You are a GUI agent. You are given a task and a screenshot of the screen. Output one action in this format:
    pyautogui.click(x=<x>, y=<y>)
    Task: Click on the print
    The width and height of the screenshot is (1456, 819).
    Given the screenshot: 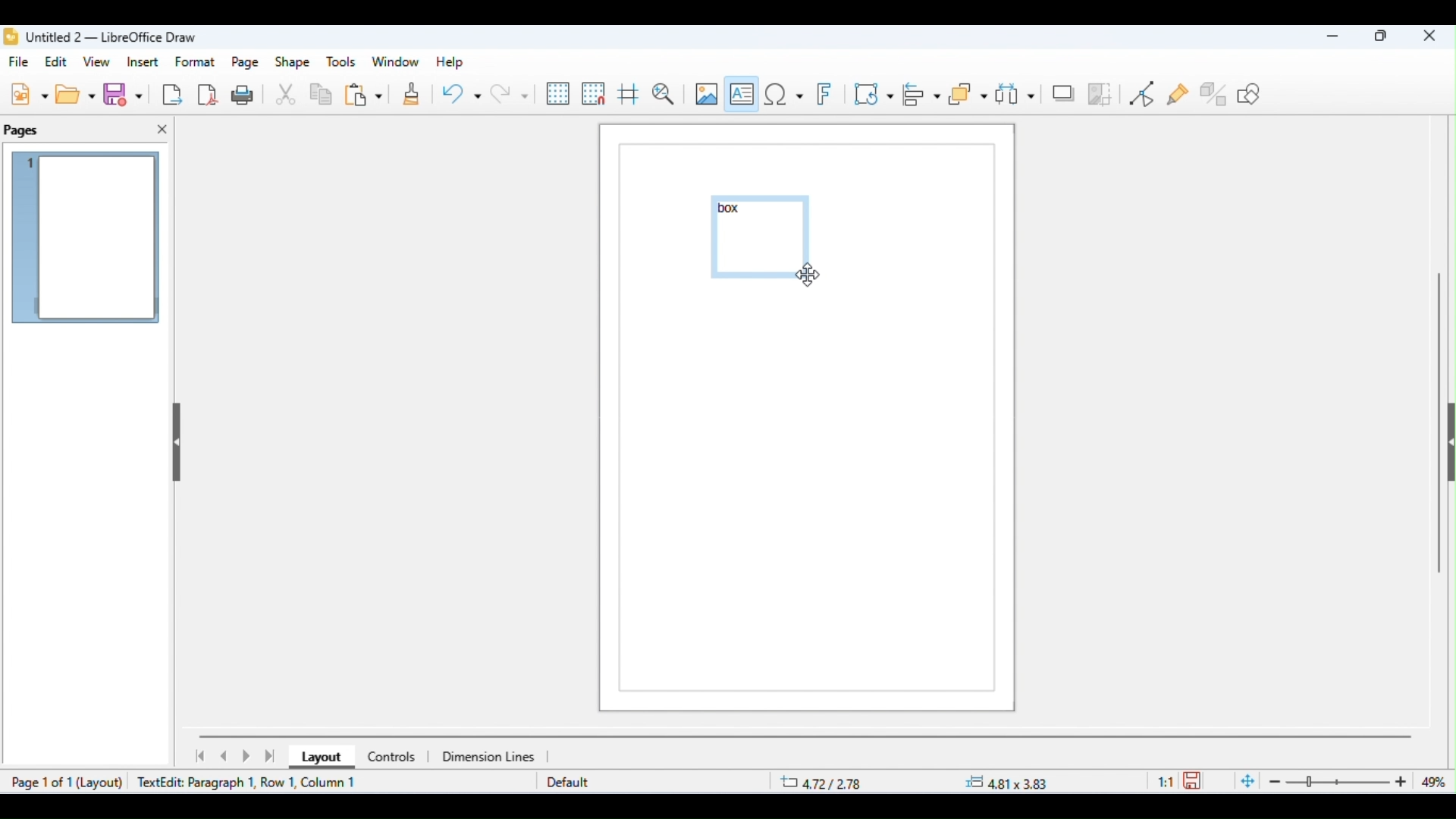 What is the action you would take?
    pyautogui.click(x=246, y=94)
    